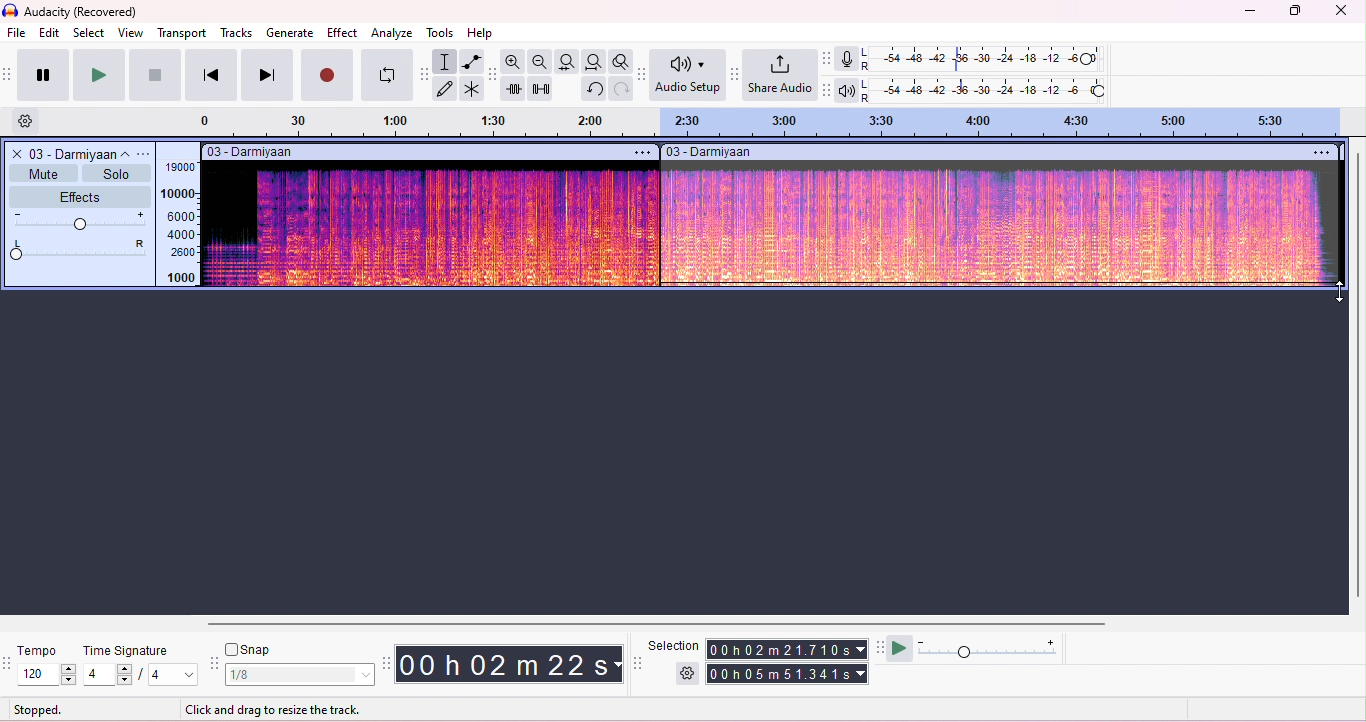 The height and width of the screenshot is (722, 1366). What do you see at coordinates (848, 89) in the screenshot?
I see `playback meter` at bounding box center [848, 89].